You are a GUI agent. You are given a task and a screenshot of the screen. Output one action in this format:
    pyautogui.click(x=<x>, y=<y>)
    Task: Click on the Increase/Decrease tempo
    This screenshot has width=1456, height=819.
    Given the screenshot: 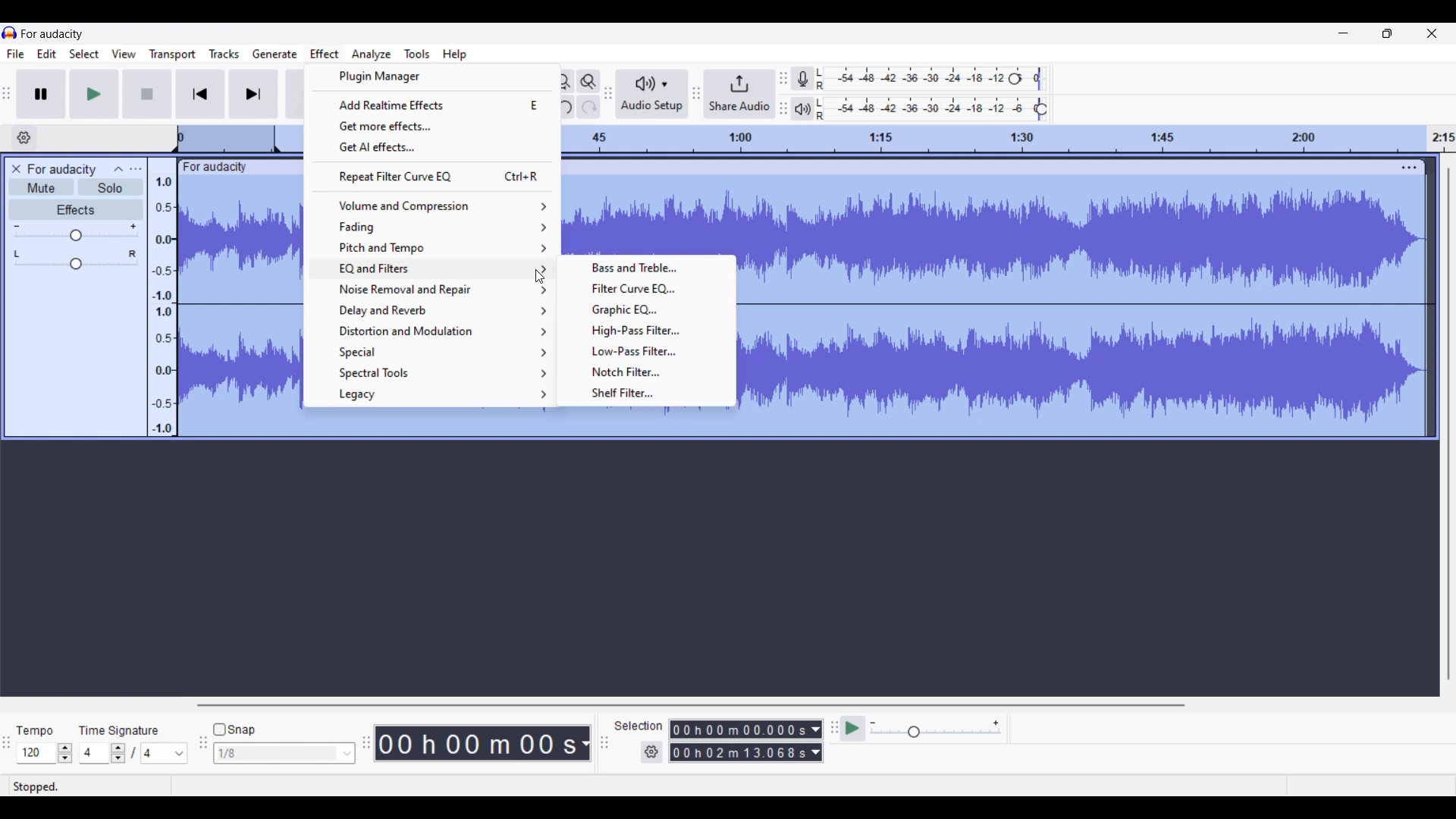 What is the action you would take?
    pyautogui.click(x=65, y=753)
    